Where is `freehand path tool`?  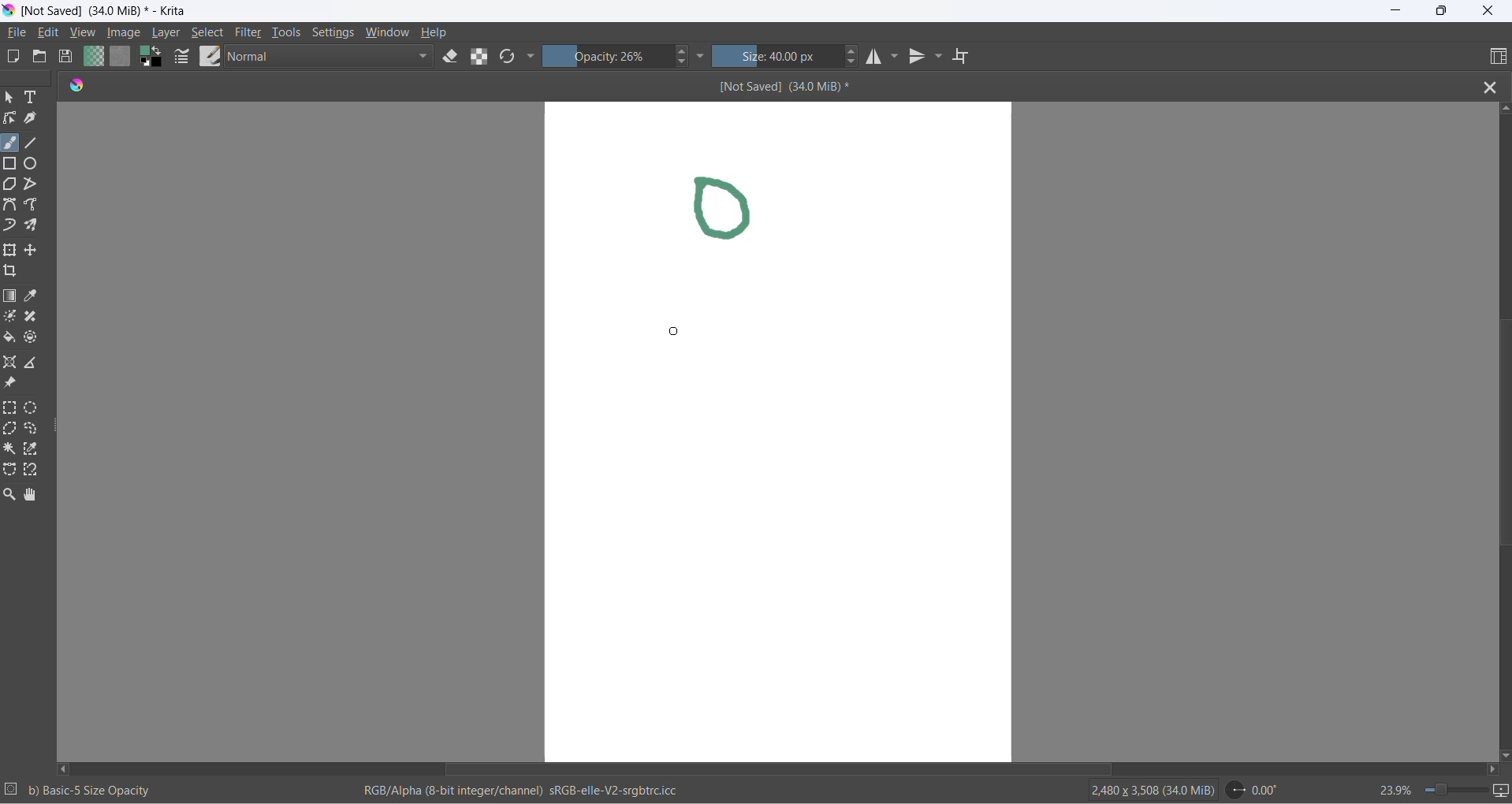 freehand path tool is located at coordinates (37, 205).